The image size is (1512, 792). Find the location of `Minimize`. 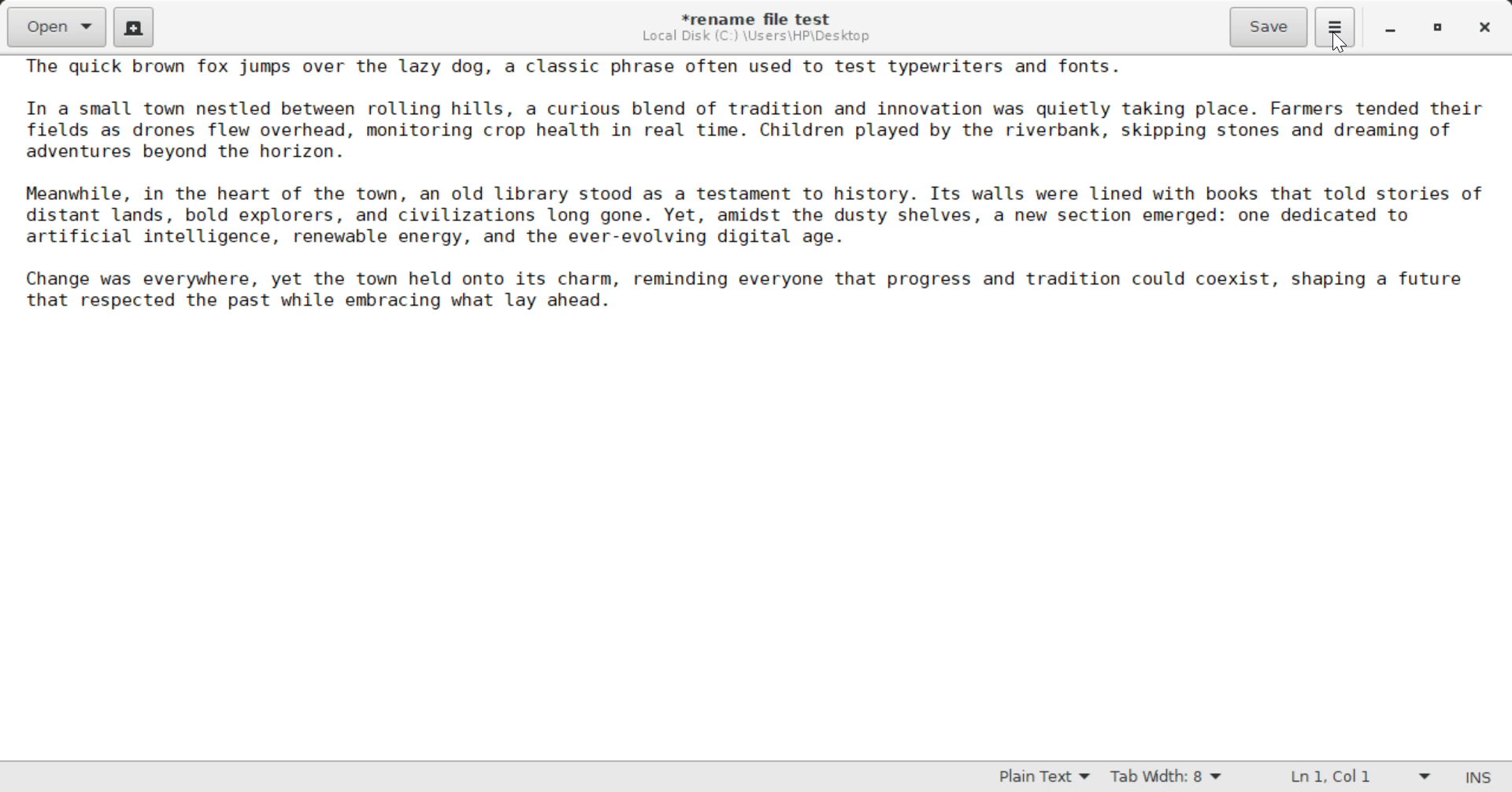

Minimize is located at coordinates (1440, 30).